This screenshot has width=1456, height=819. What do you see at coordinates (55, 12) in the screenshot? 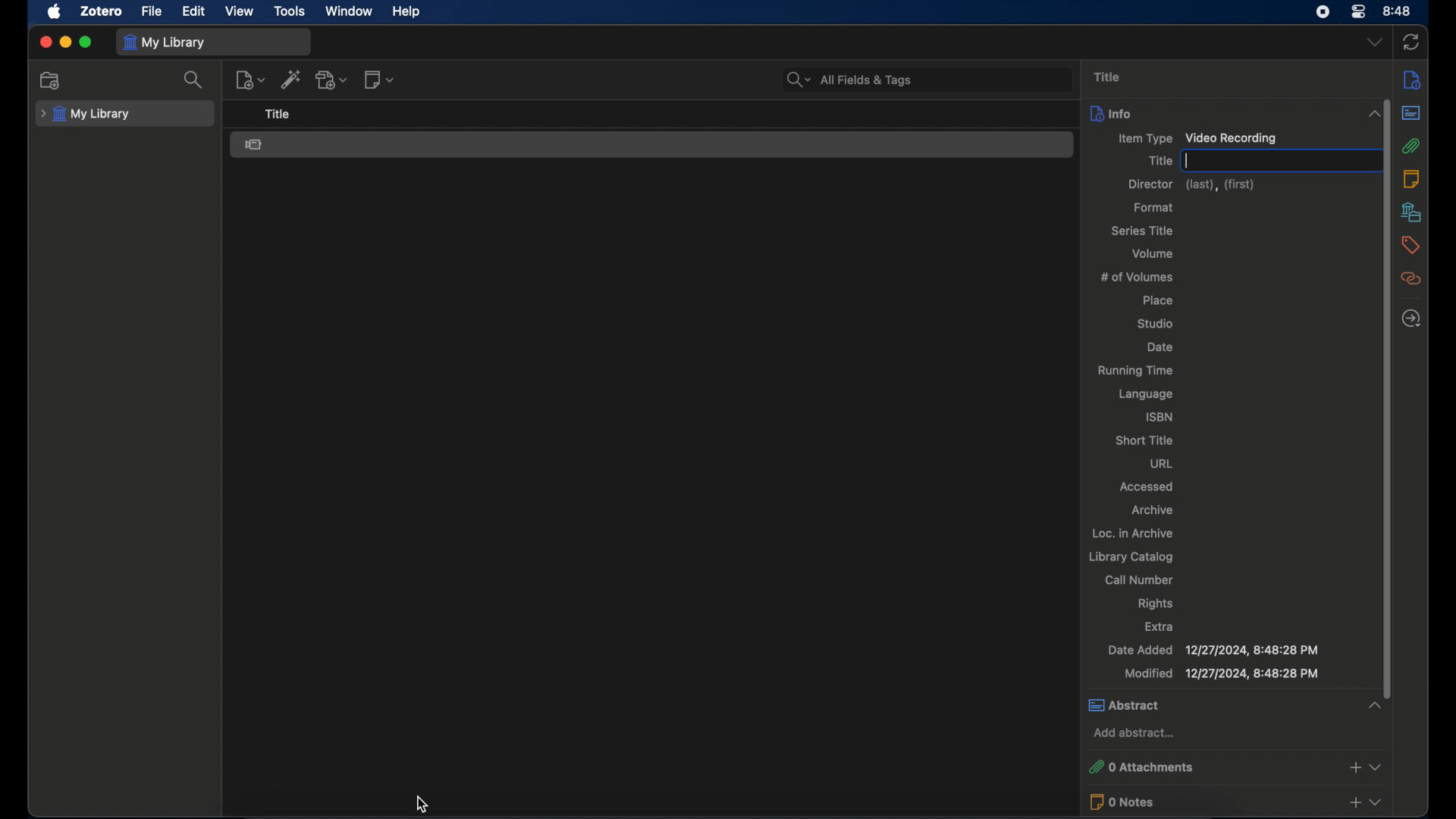
I see `apple` at bounding box center [55, 12].